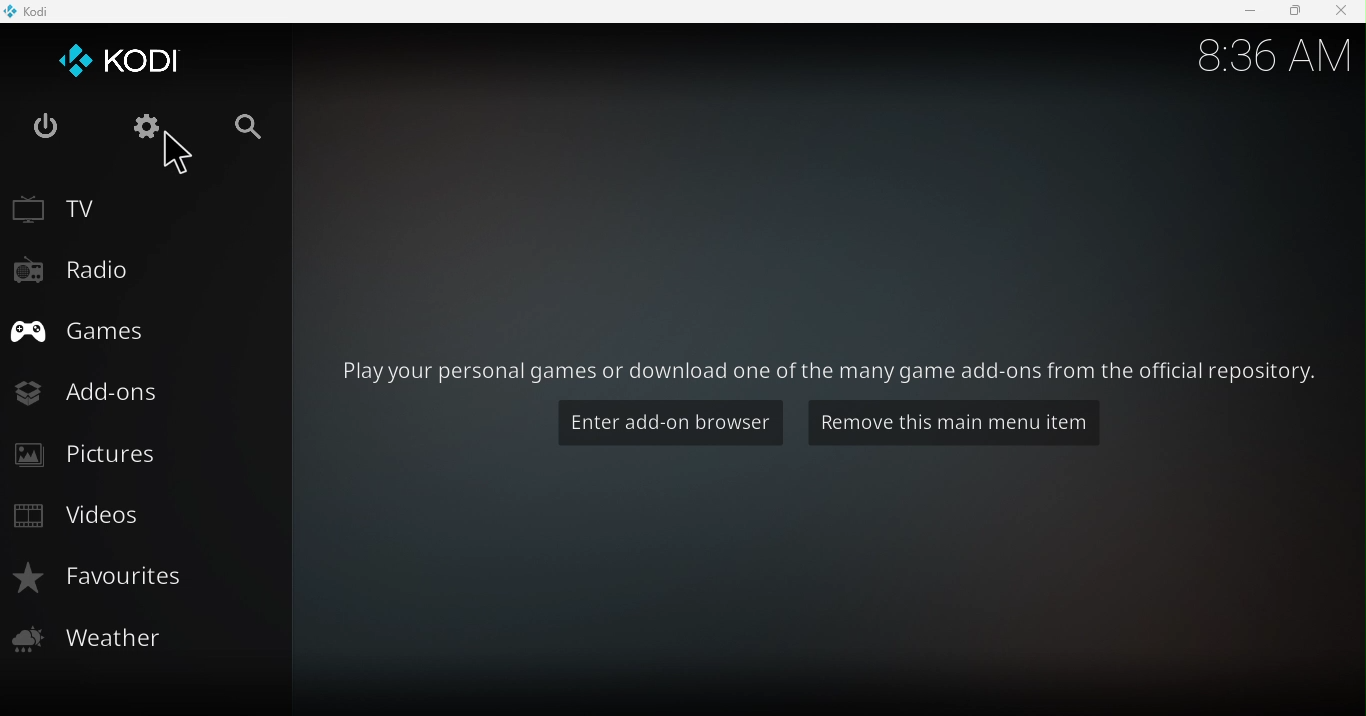  I want to click on TV, so click(137, 204).